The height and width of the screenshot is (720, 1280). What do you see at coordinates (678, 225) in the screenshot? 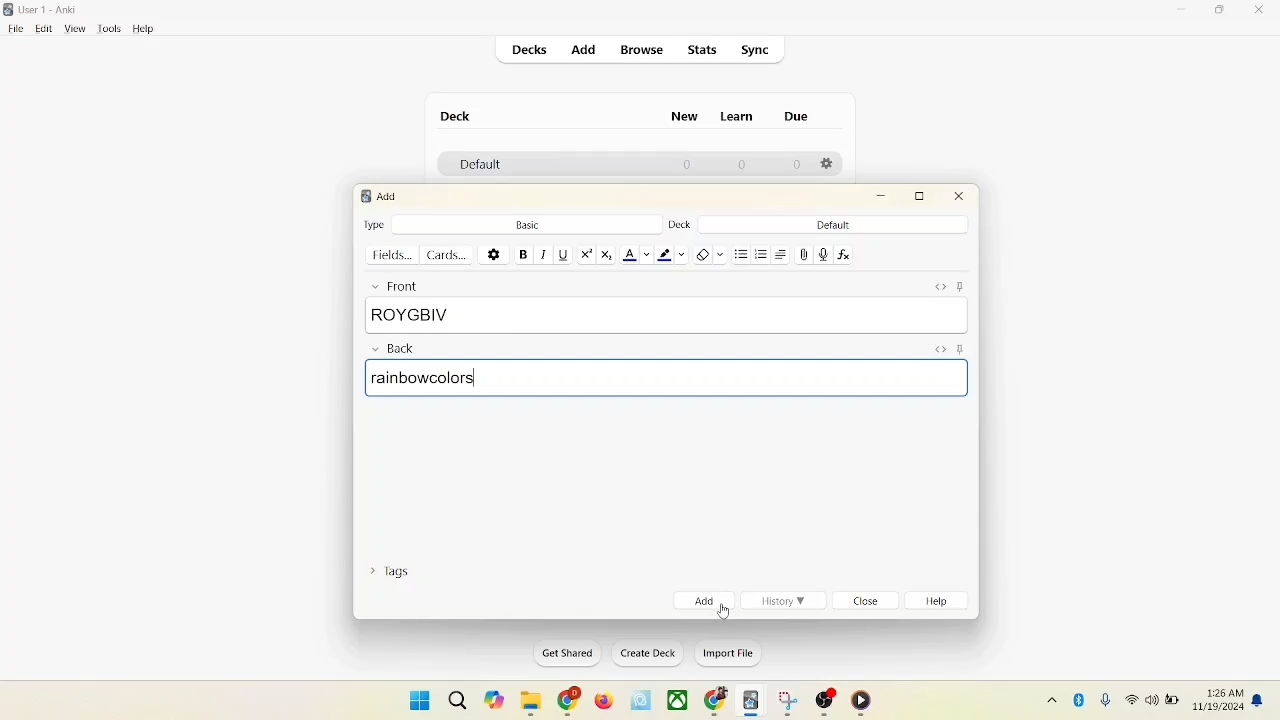
I see `deck` at bounding box center [678, 225].